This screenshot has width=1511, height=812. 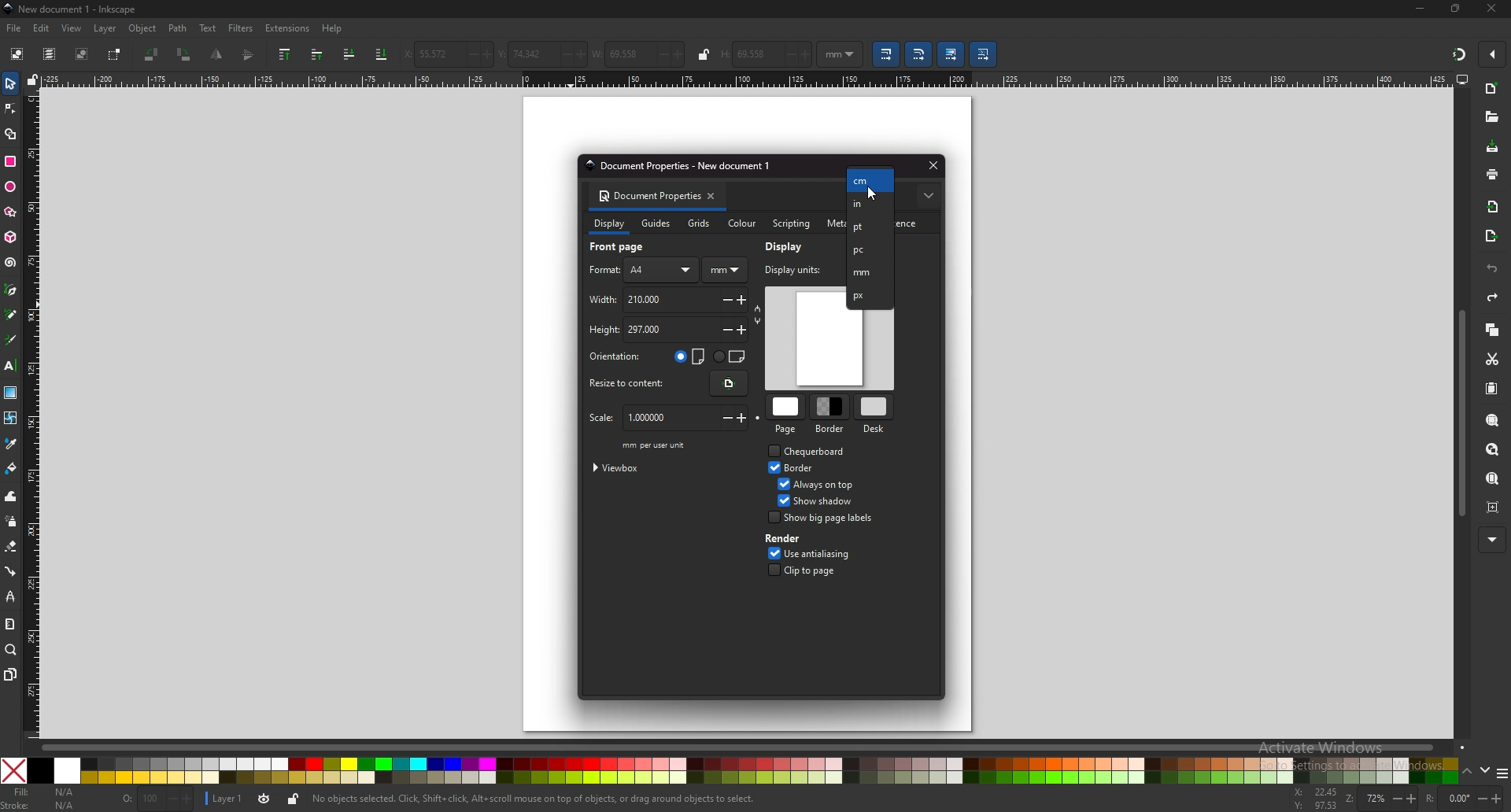 What do you see at coordinates (690, 356) in the screenshot?
I see `portrait` at bounding box center [690, 356].